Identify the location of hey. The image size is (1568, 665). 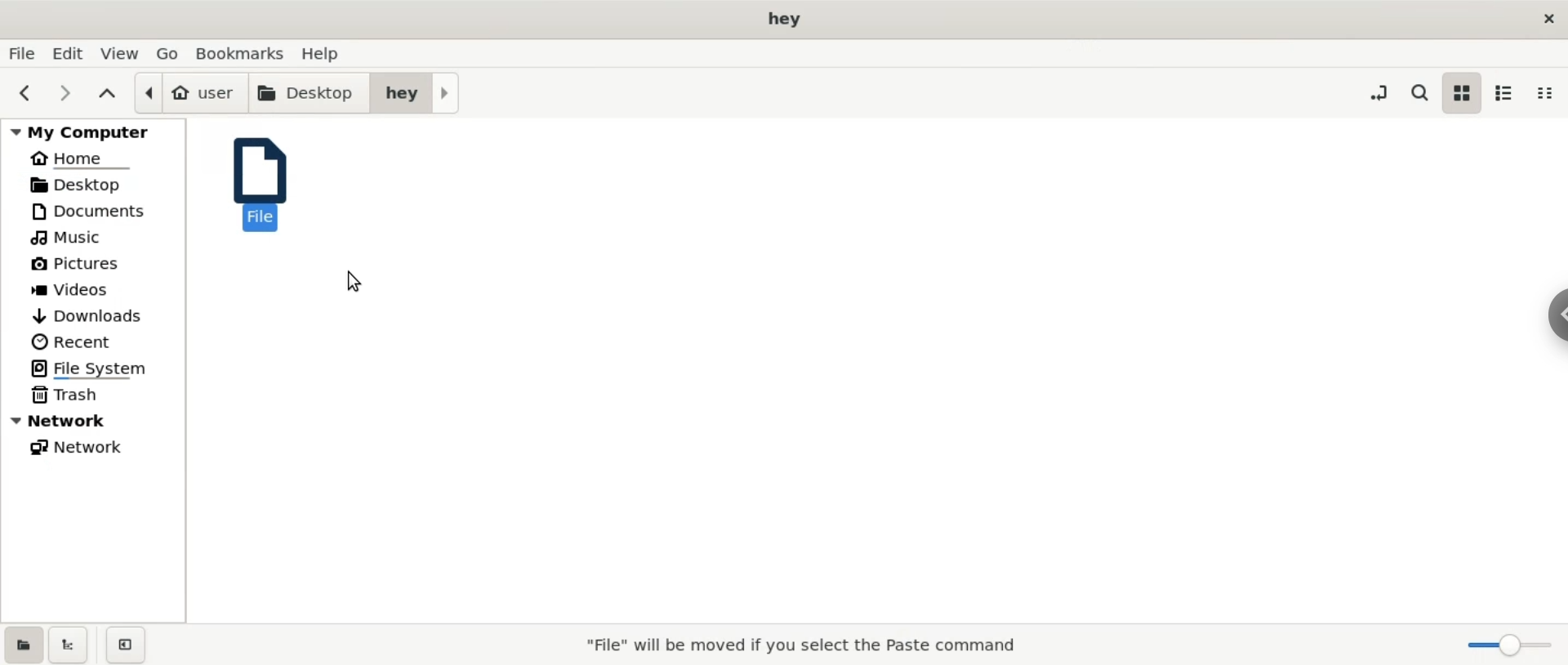
(416, 92).